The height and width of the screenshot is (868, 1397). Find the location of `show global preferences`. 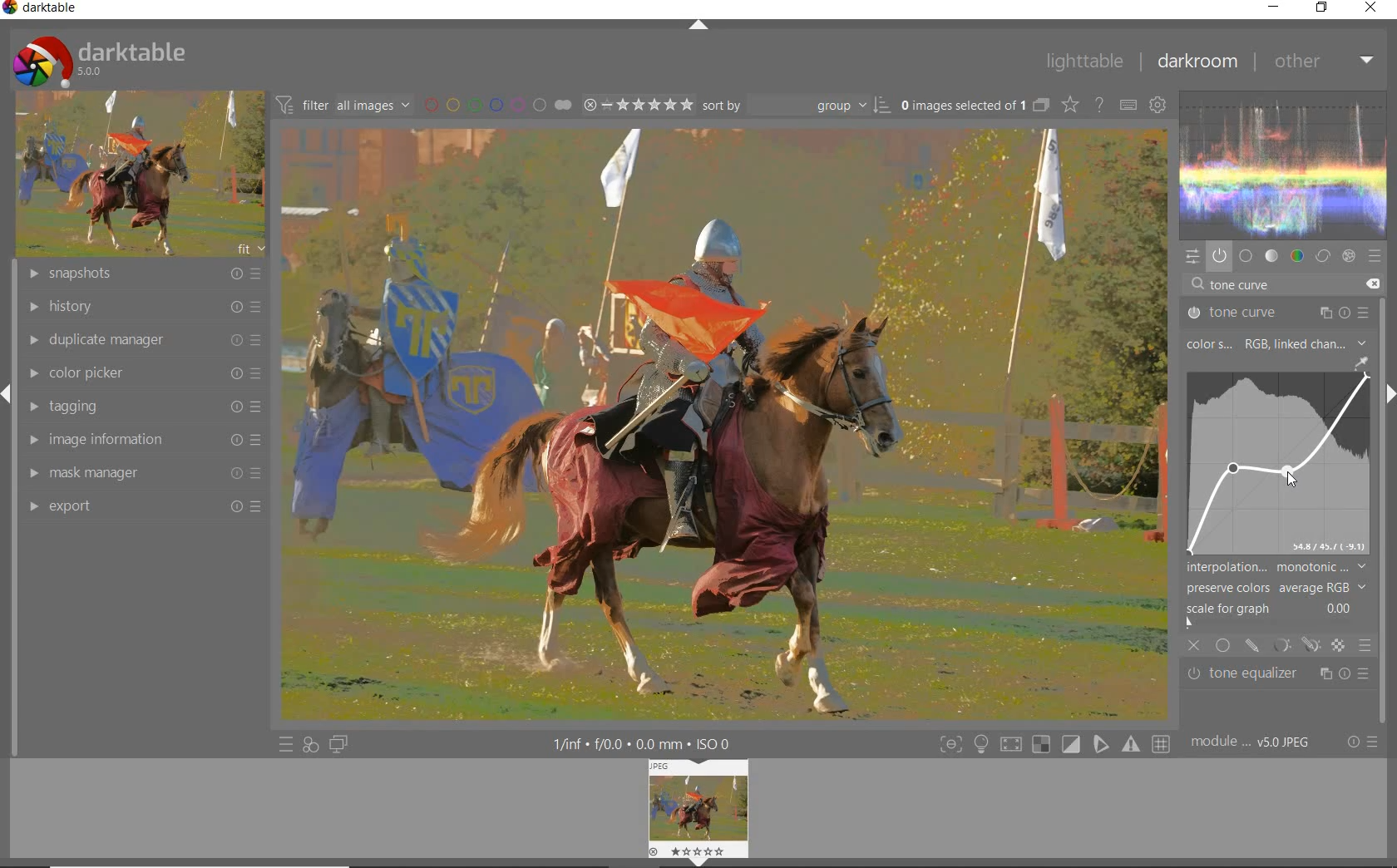

show global preferences is located at coordinates (1157, 106).